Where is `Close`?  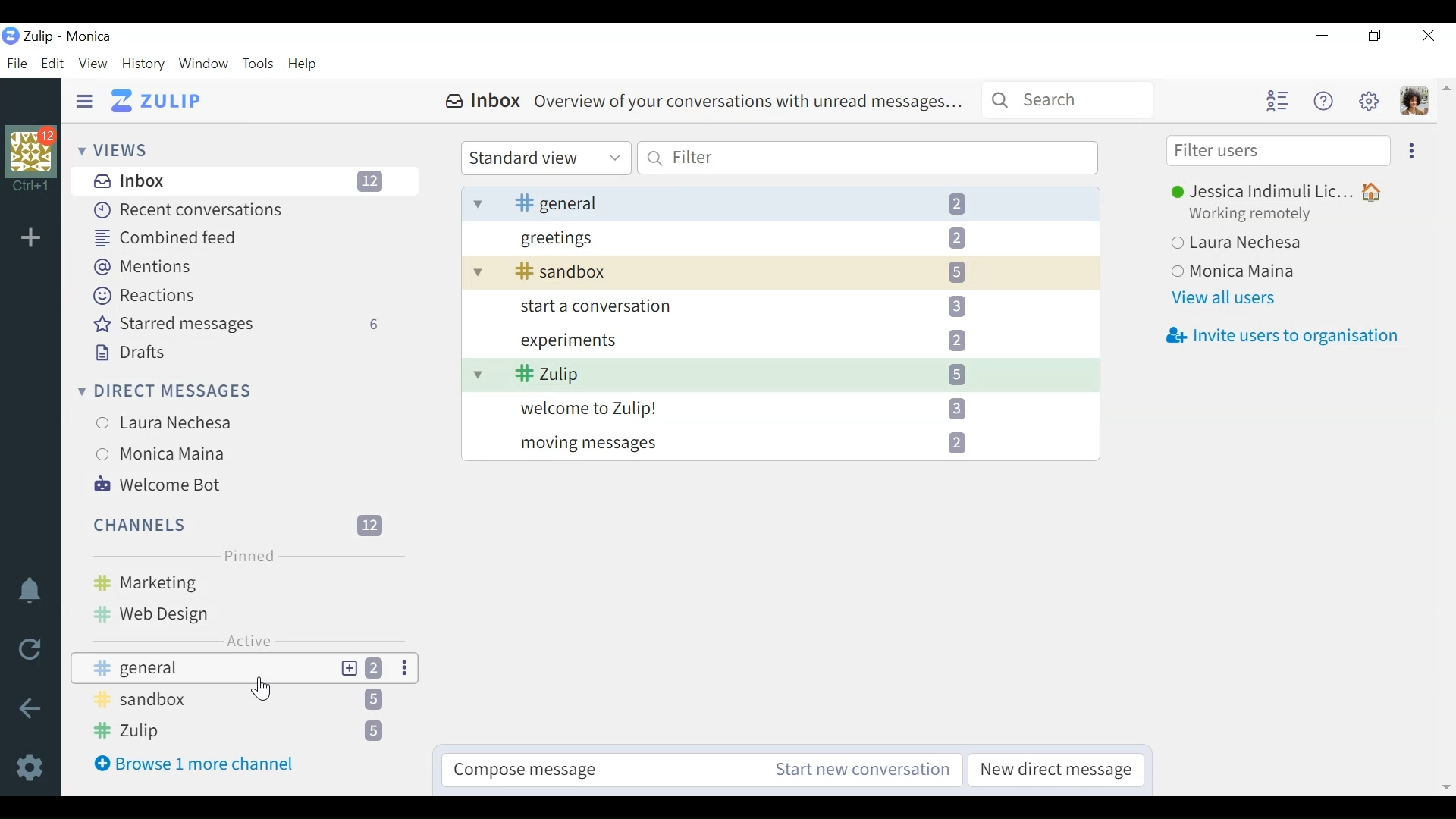
Close is located at coordinates (1430, 35).